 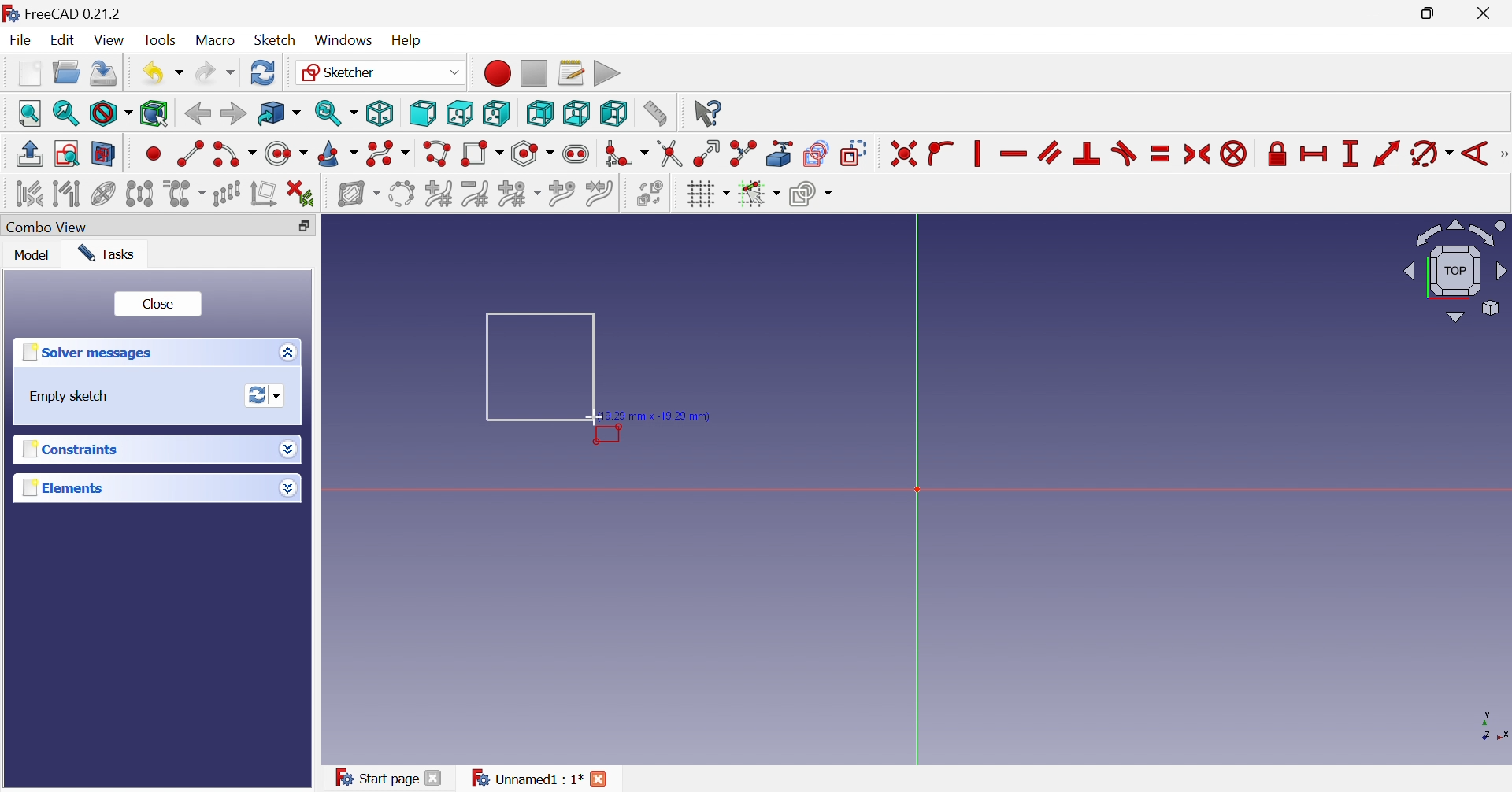 What do you see at coordinates (159, 306) in the screenshot?
I see `Close` at bounding box center [159, 306].